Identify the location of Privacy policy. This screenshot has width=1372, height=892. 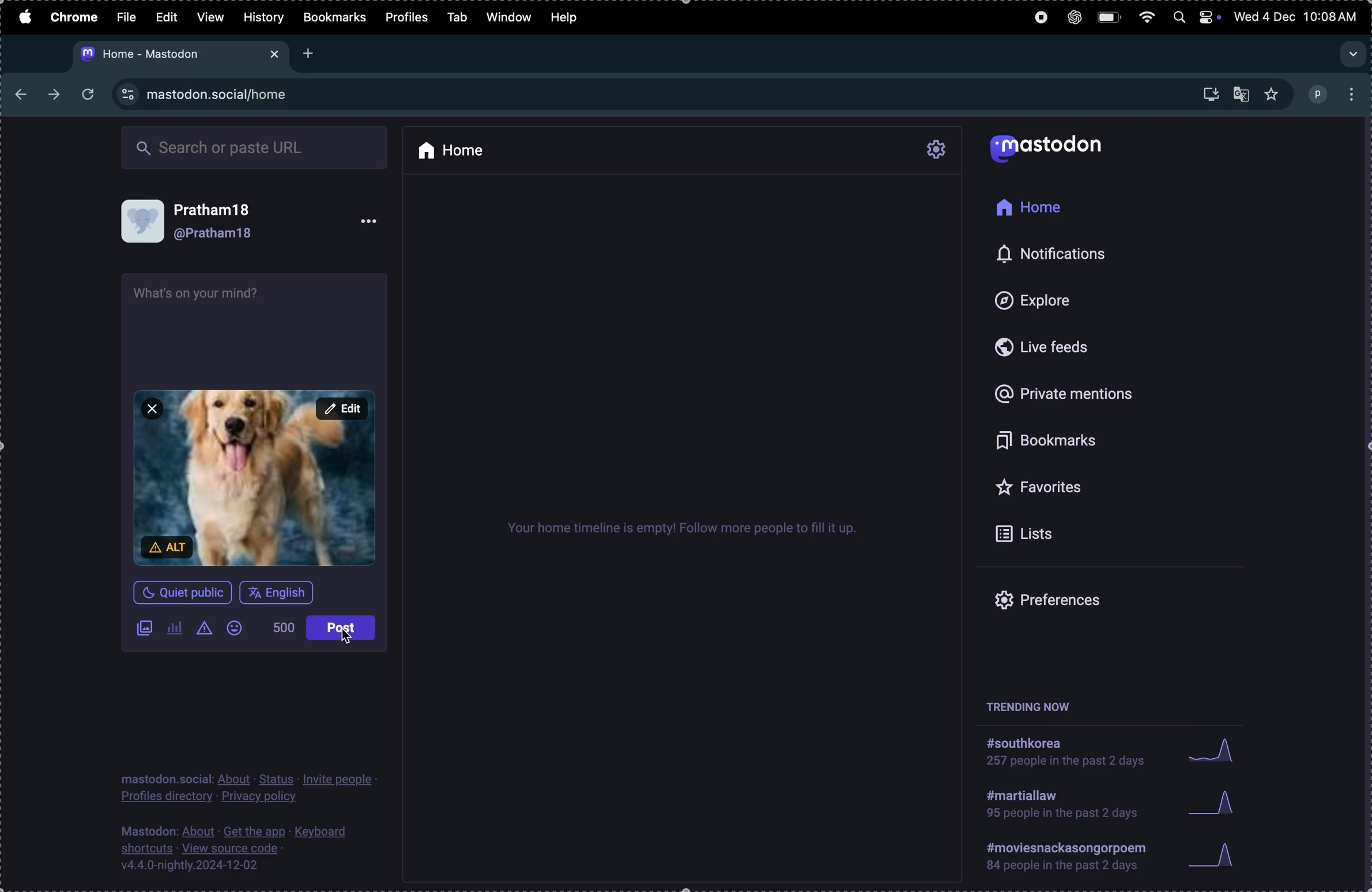
(249, 788).